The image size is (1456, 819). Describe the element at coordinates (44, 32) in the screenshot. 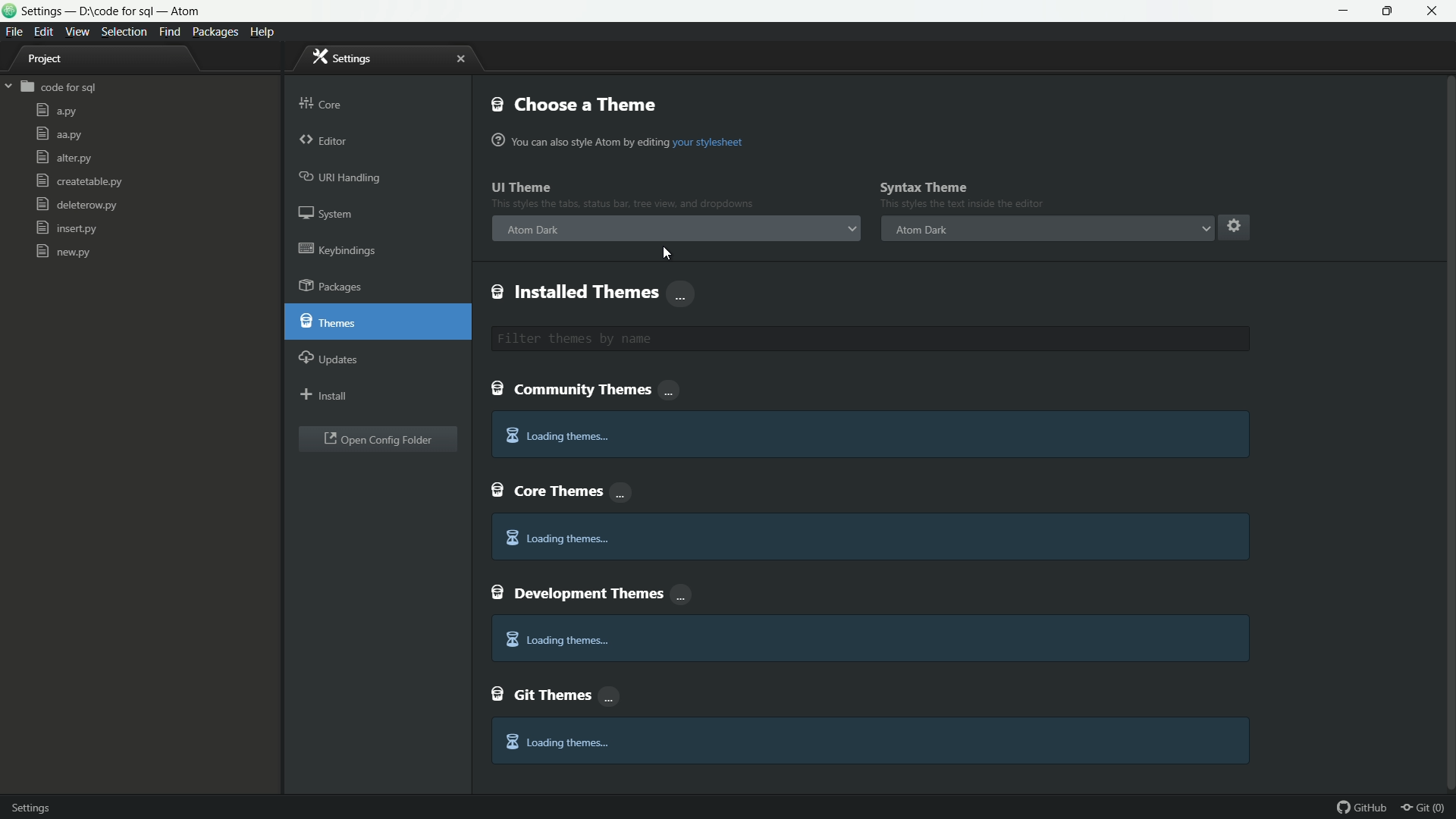

I see `edit menu` at that location.